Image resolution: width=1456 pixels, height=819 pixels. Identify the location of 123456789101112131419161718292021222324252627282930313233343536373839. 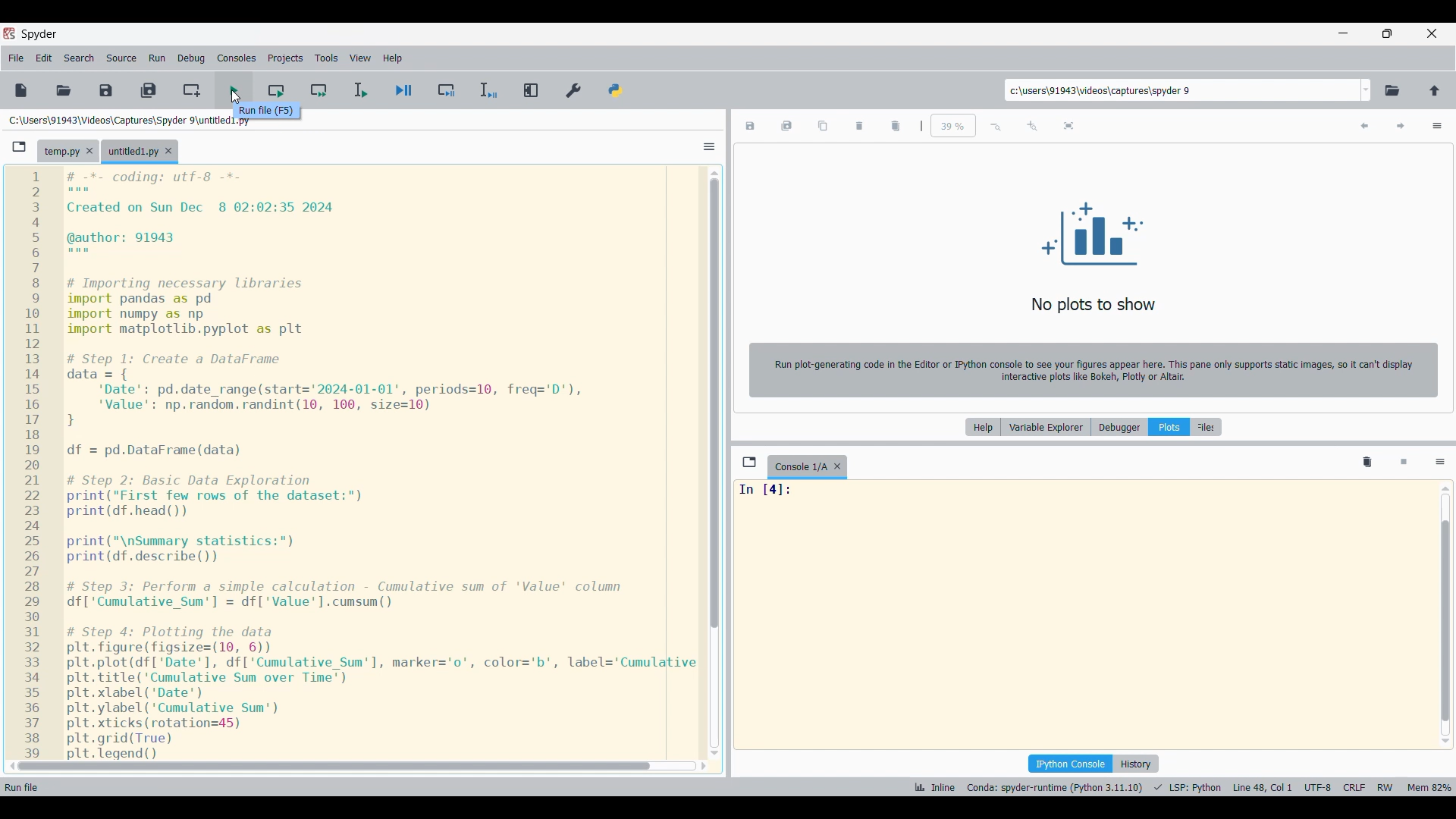
(30, 461).